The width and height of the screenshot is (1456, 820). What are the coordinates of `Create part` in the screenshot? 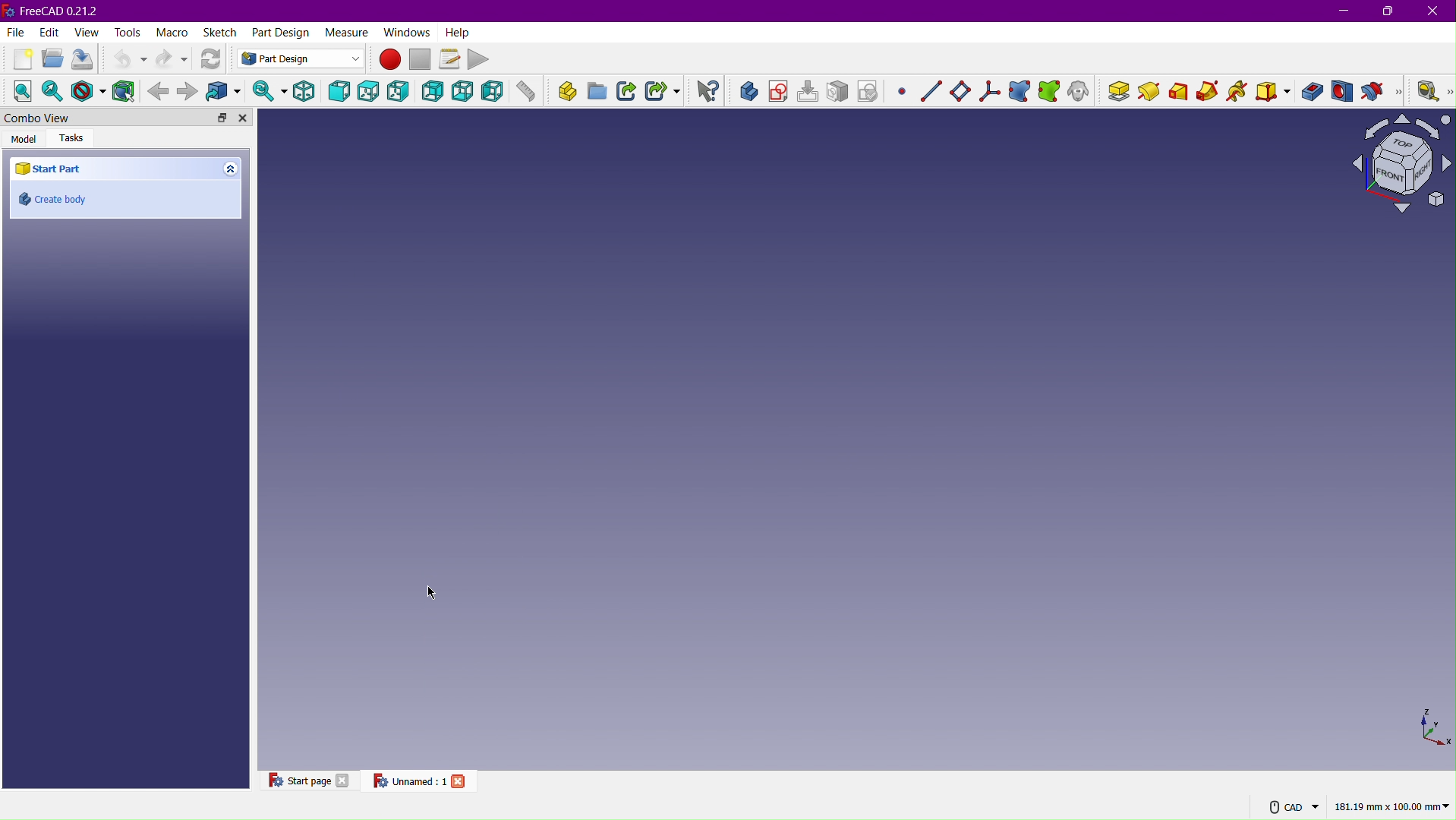 It's located at (564, 93).